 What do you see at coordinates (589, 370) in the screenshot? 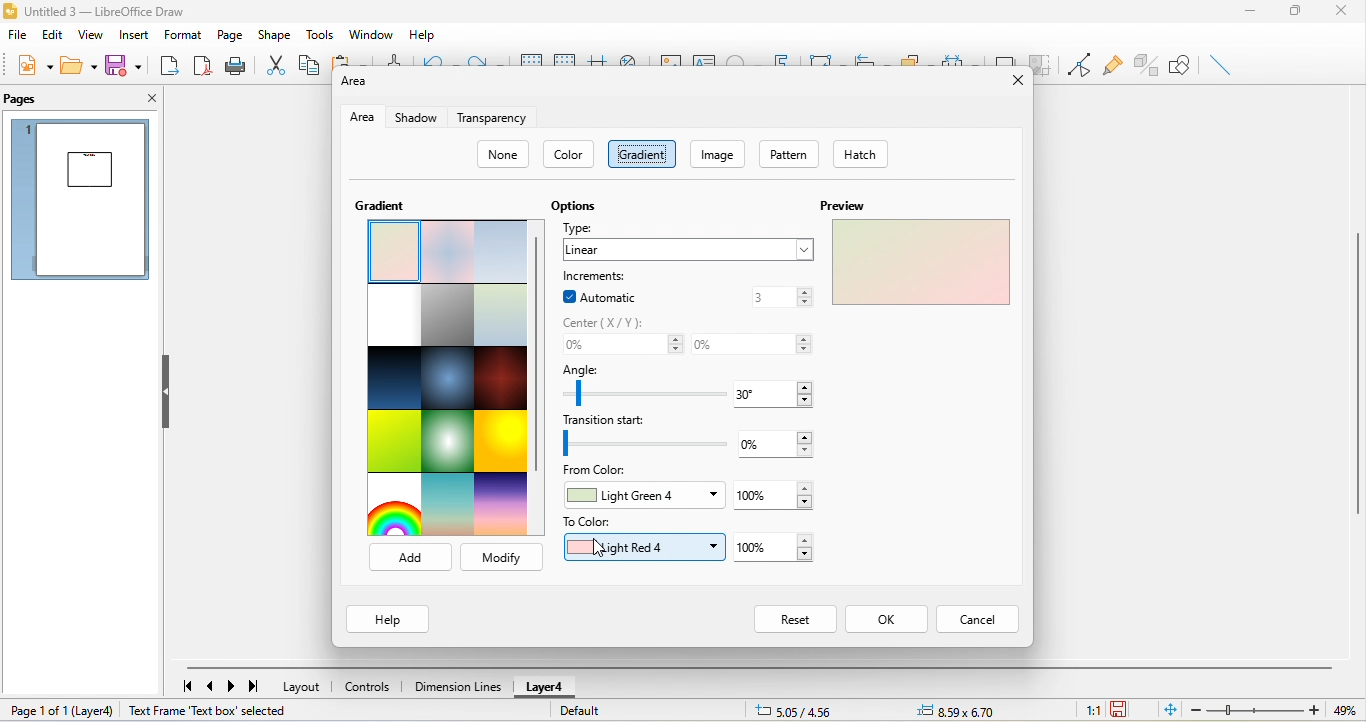
I see `angle` at bounding box center [589, 370].